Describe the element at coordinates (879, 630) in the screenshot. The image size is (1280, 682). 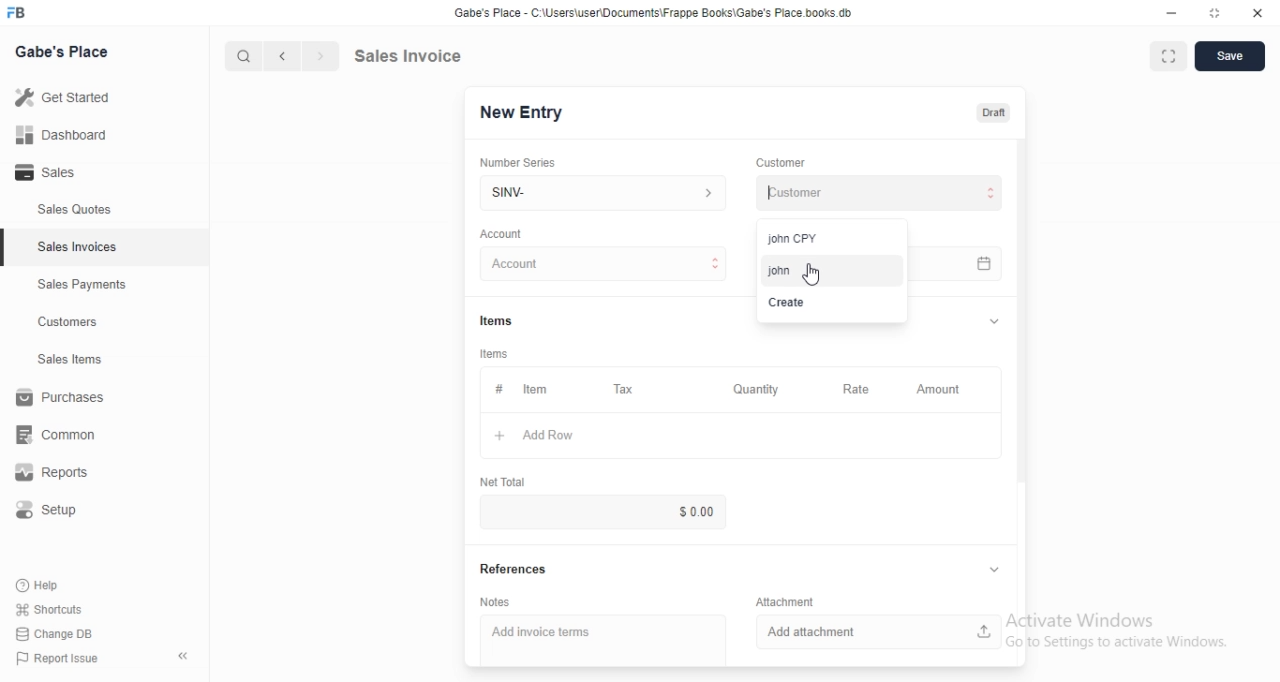
I see `‘Add attachment` at that location.